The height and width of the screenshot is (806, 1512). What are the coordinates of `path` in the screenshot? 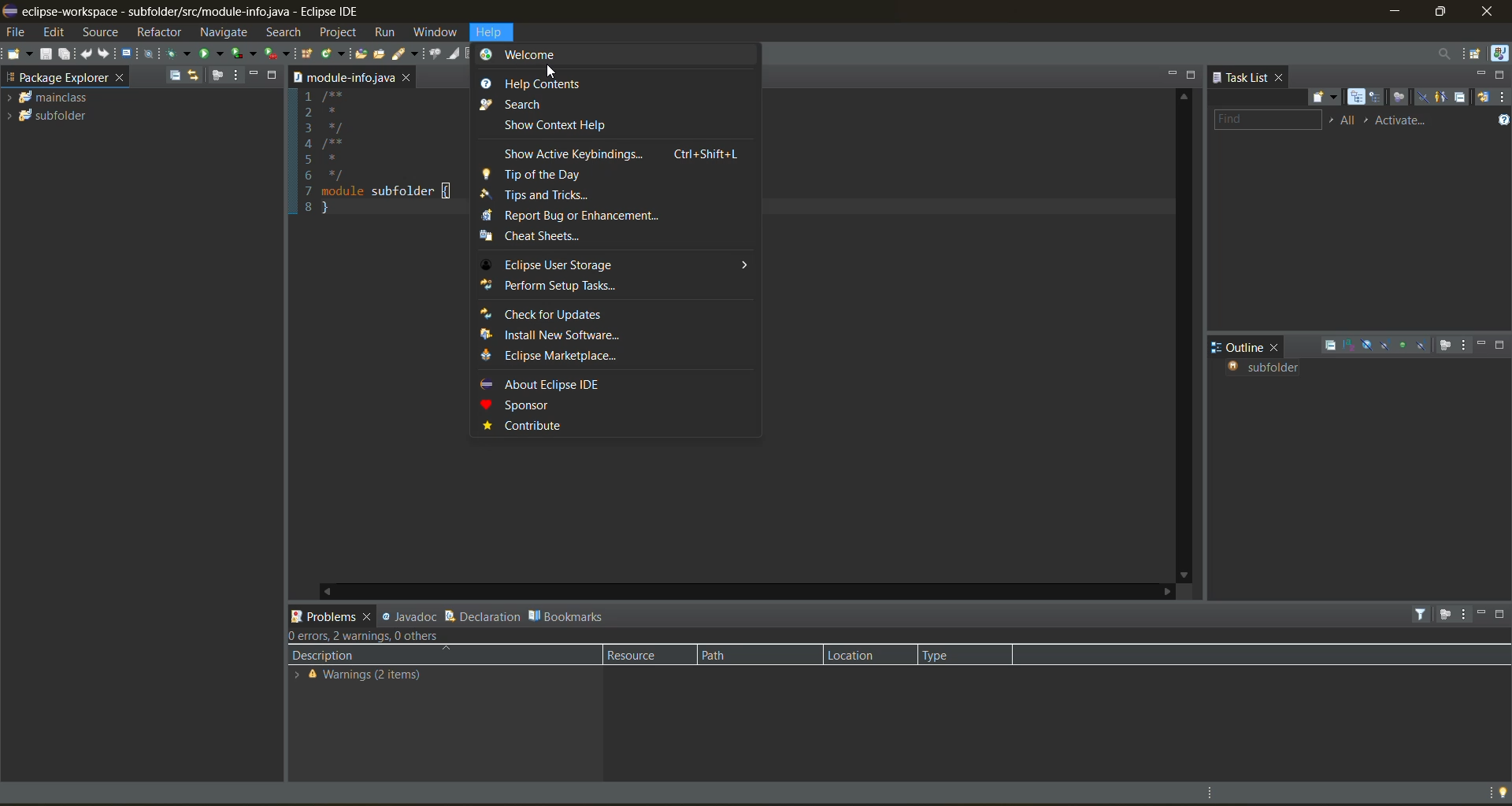 It's located at (721, 656).